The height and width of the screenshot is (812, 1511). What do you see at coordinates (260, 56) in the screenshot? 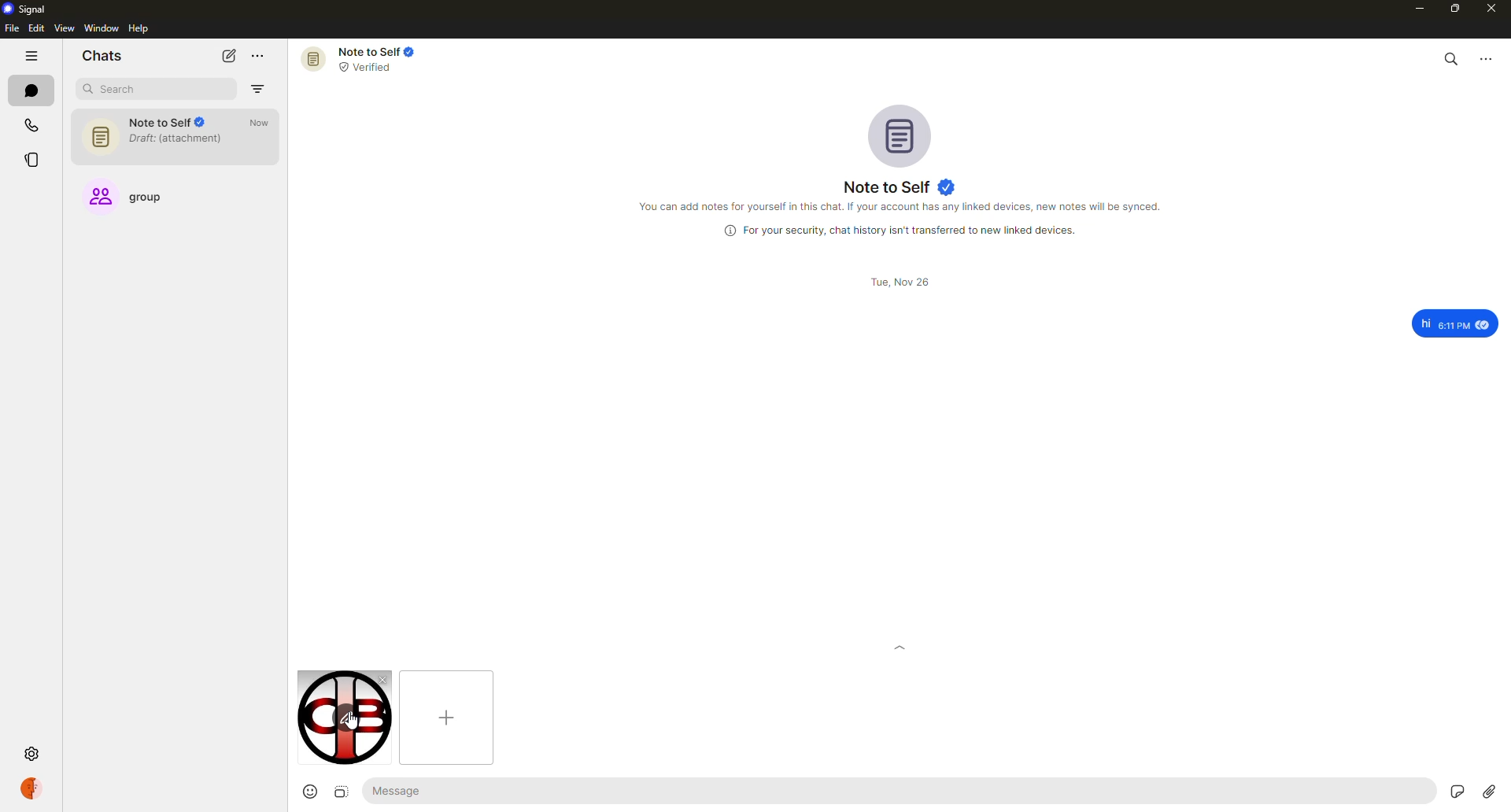
I see `more` at bounding box center [260, 56].